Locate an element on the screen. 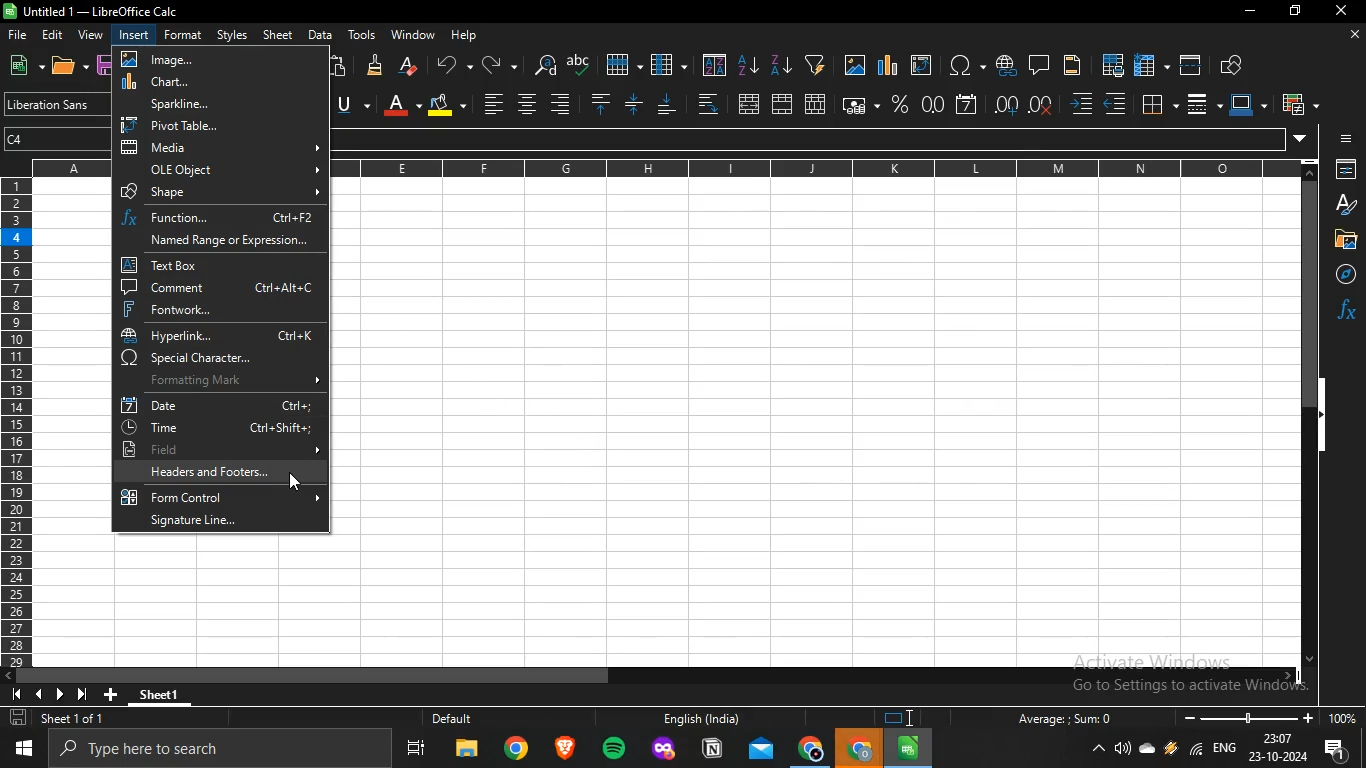 This screenshot has height=768, width=1366. find and replace is located at coordinates (543, 65).